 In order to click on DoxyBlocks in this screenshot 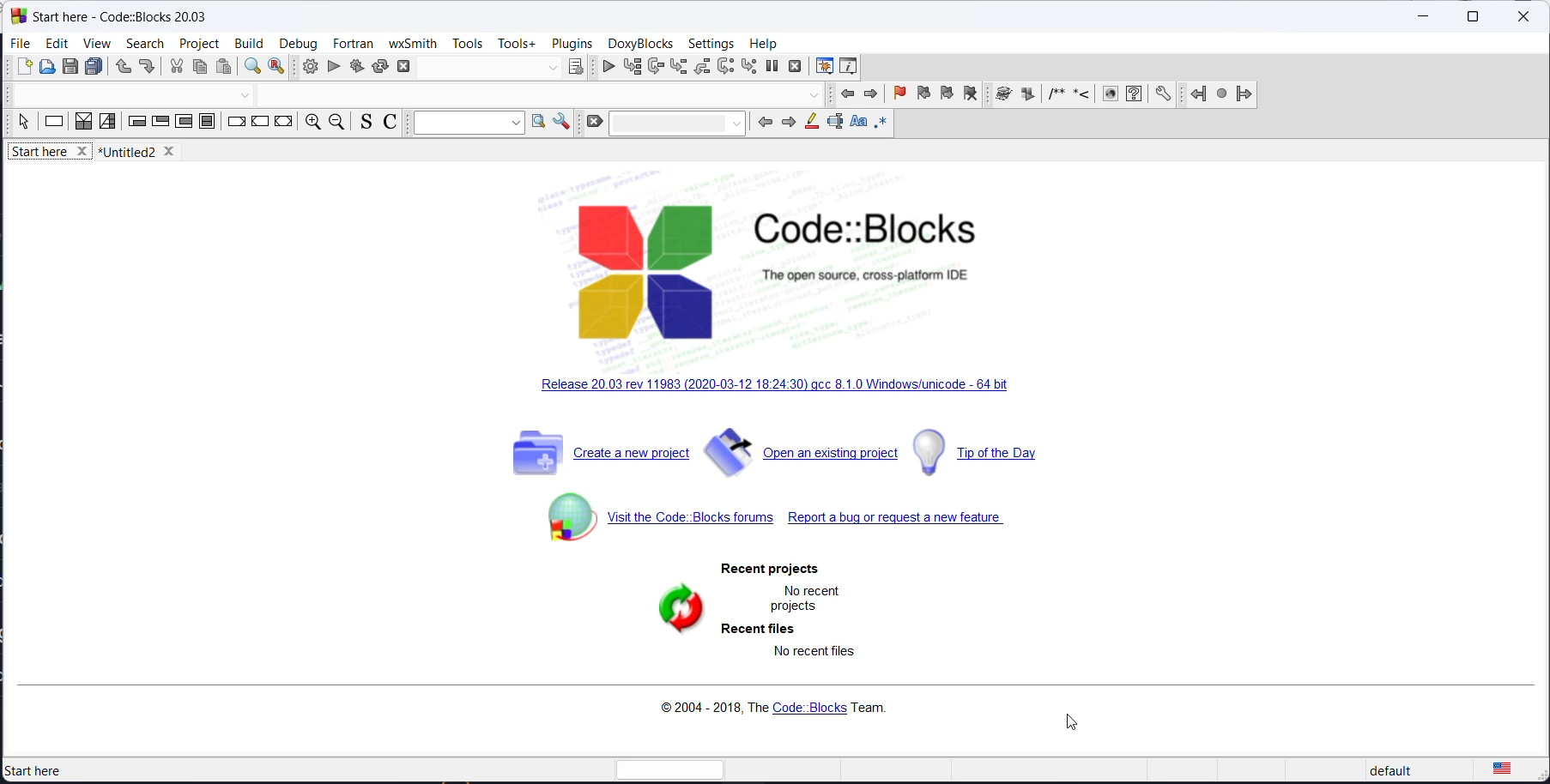, I will do `click(639, 43)`.